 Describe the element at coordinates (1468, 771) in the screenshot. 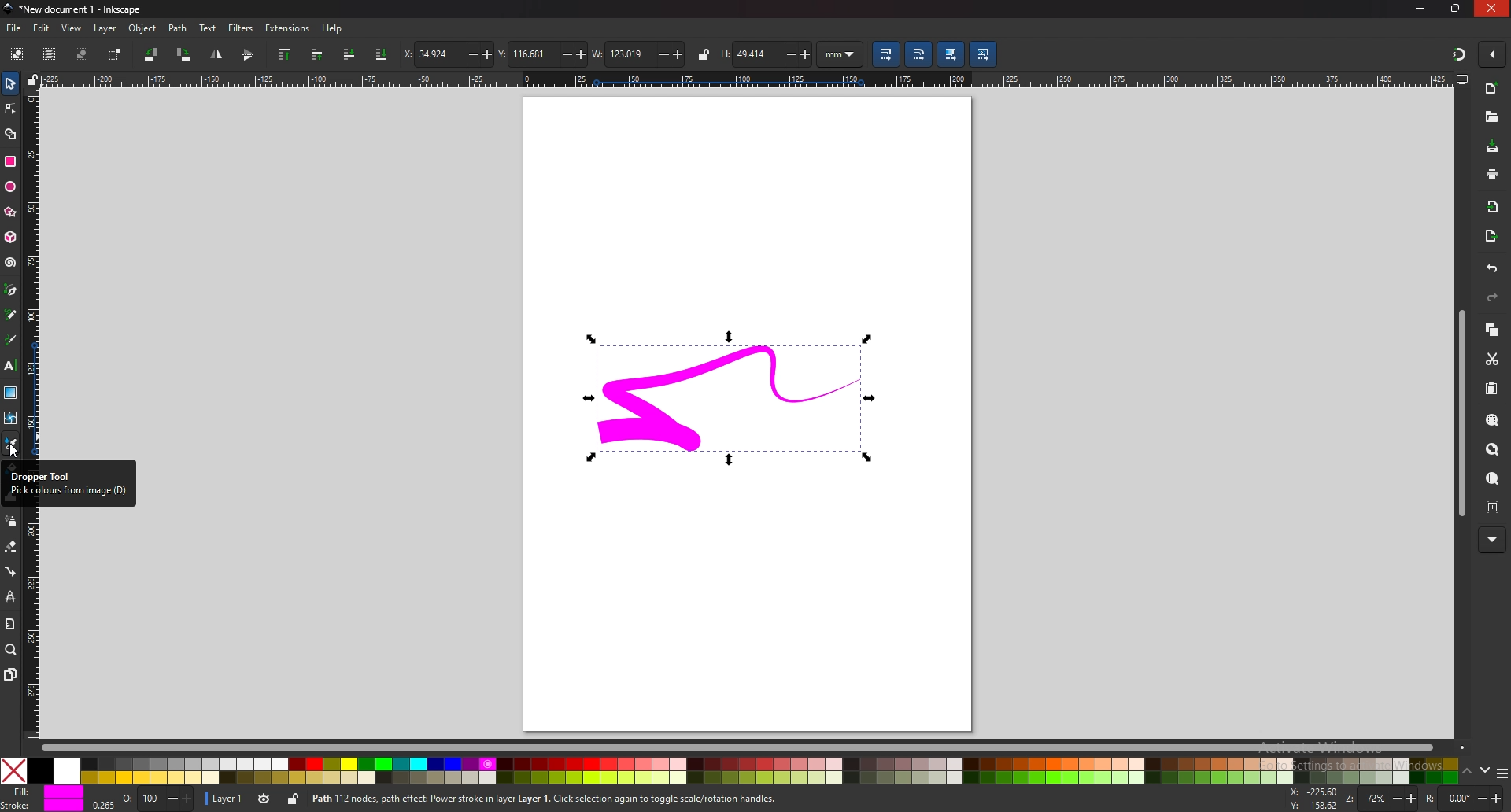

I see `up` at that location.